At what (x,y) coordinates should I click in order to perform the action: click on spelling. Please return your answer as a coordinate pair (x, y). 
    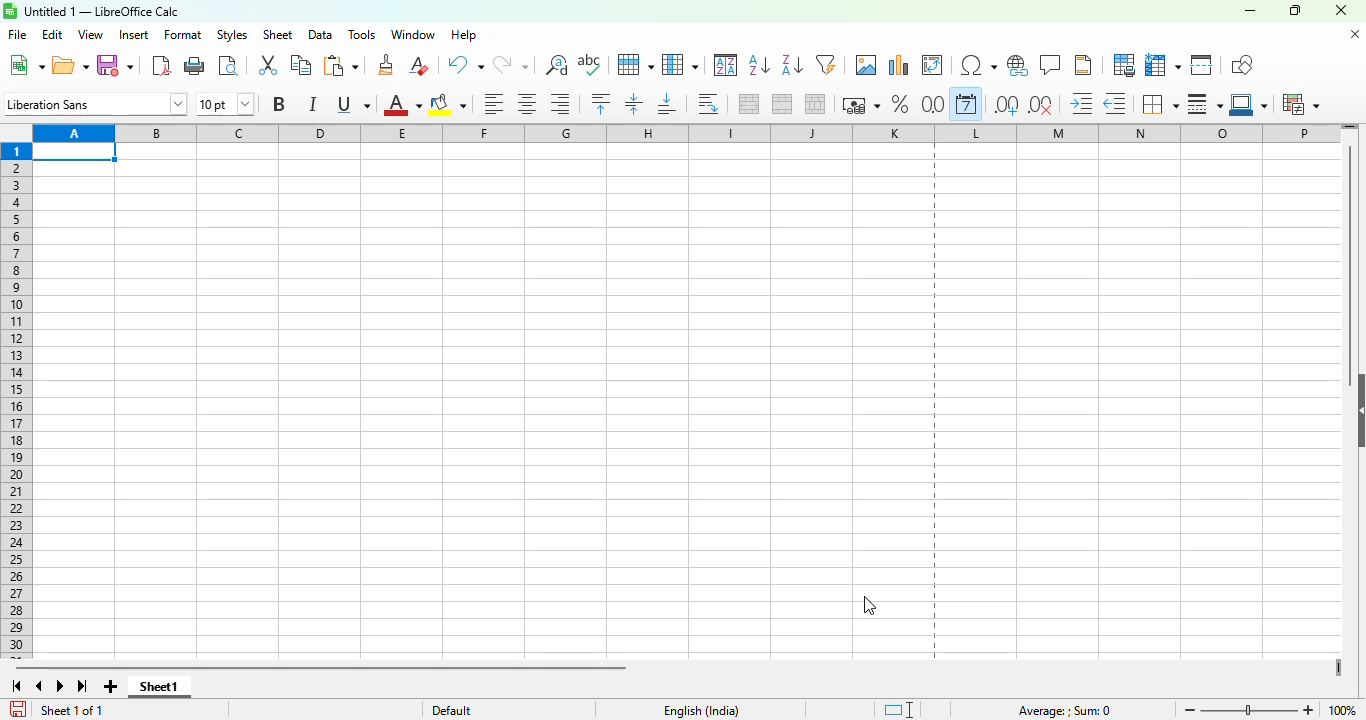
    Looking at the image, I should click on (590, 64).